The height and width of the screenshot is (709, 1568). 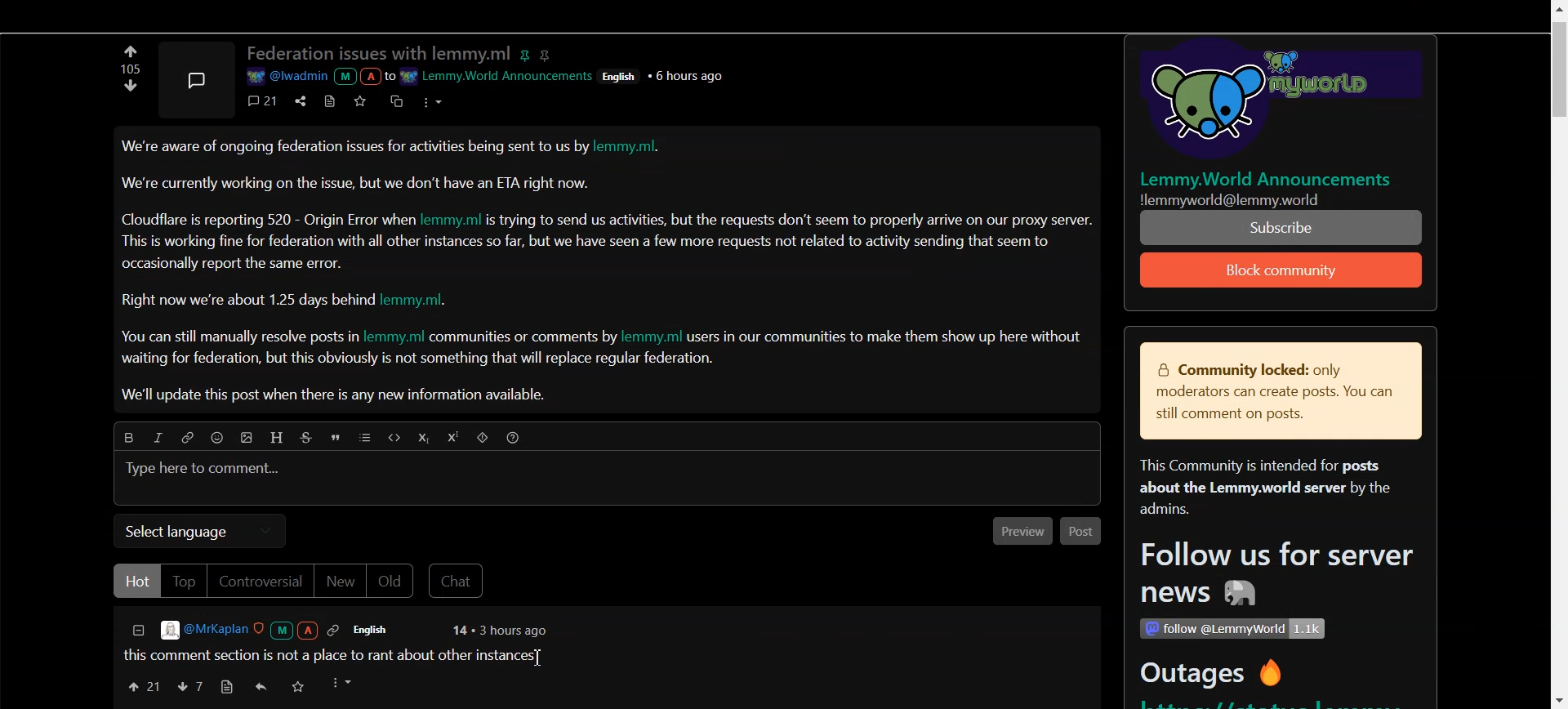 I want to click on lemmy.ml, so click(x=394, y=337).